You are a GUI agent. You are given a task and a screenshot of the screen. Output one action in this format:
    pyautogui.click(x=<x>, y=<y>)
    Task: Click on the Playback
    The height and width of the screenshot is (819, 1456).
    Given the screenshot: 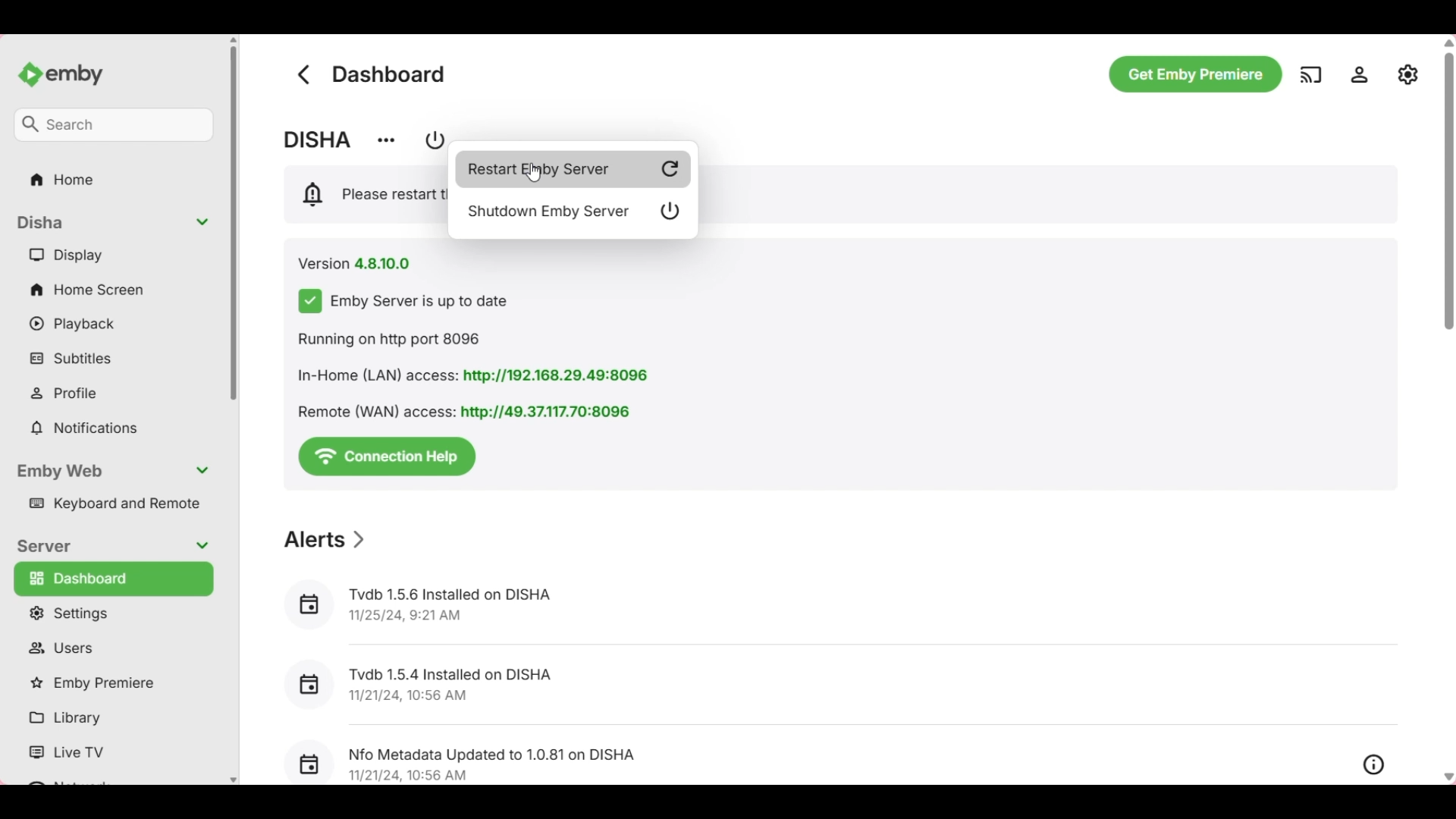 What is the action you would take?
    pyautogui.click(x=113, y=324)
    